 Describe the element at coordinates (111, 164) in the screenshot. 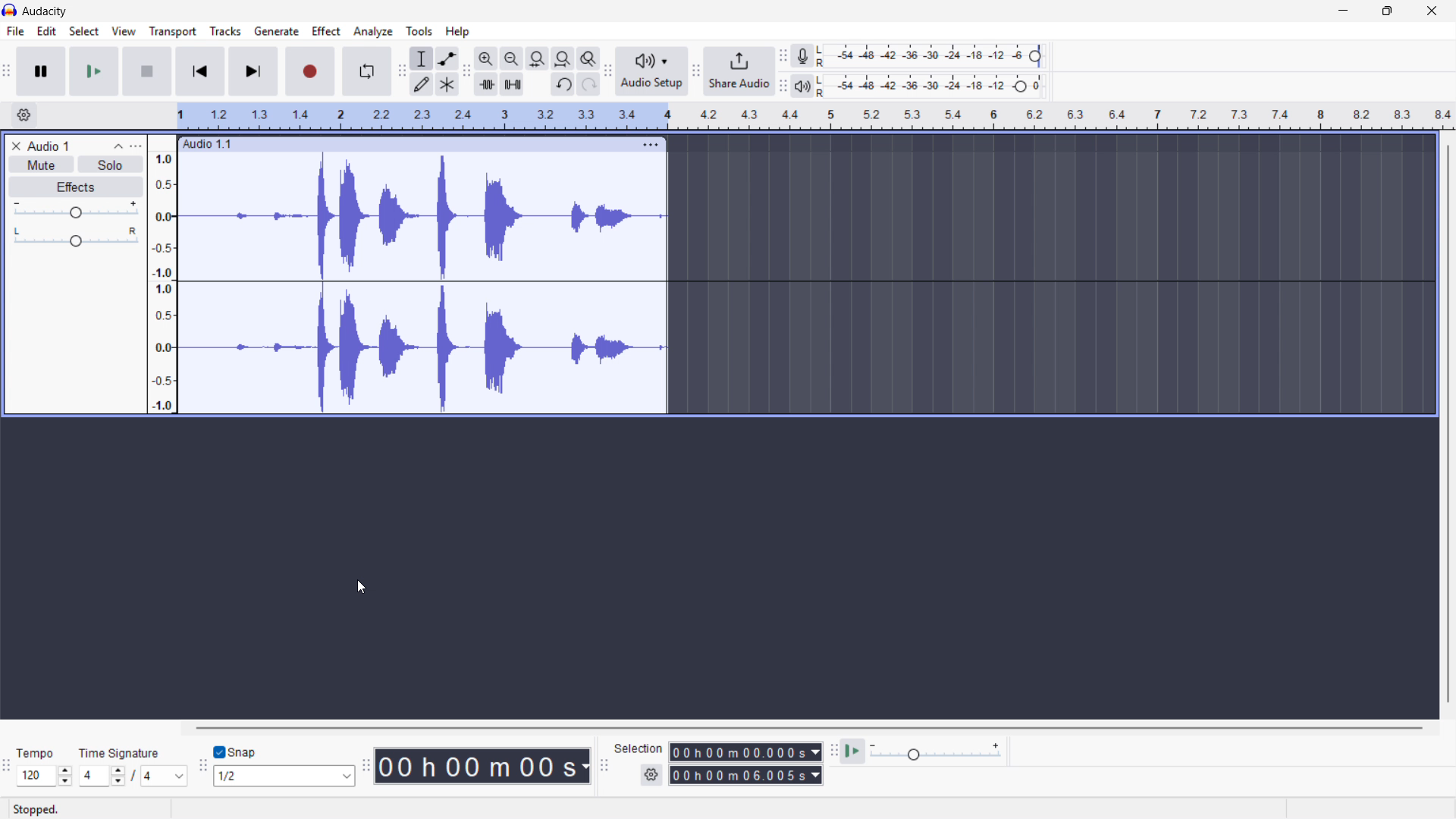

I see `Solo` at that location.